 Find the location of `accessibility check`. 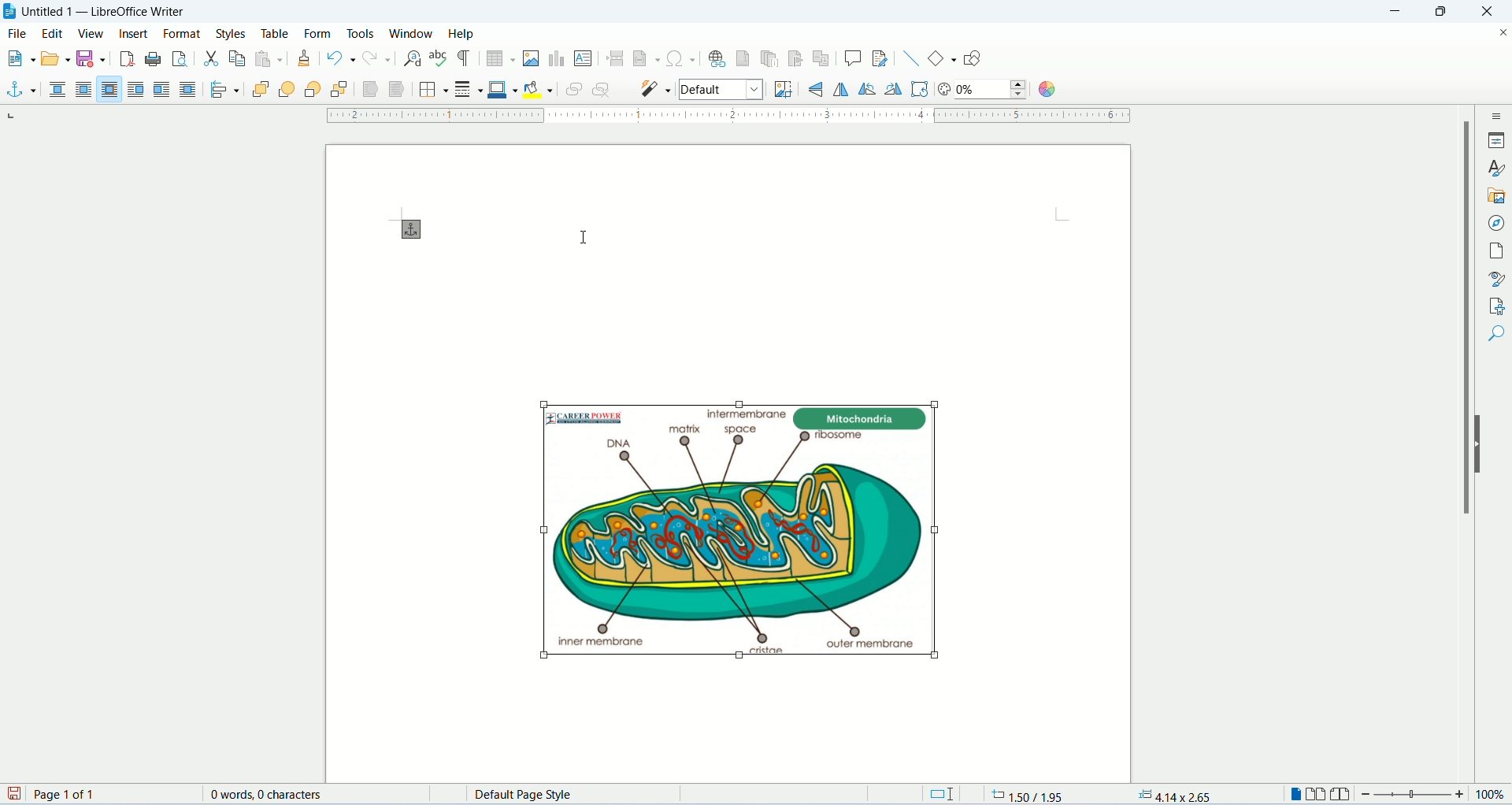

accessibility check is located at coordinates (1496, 333).